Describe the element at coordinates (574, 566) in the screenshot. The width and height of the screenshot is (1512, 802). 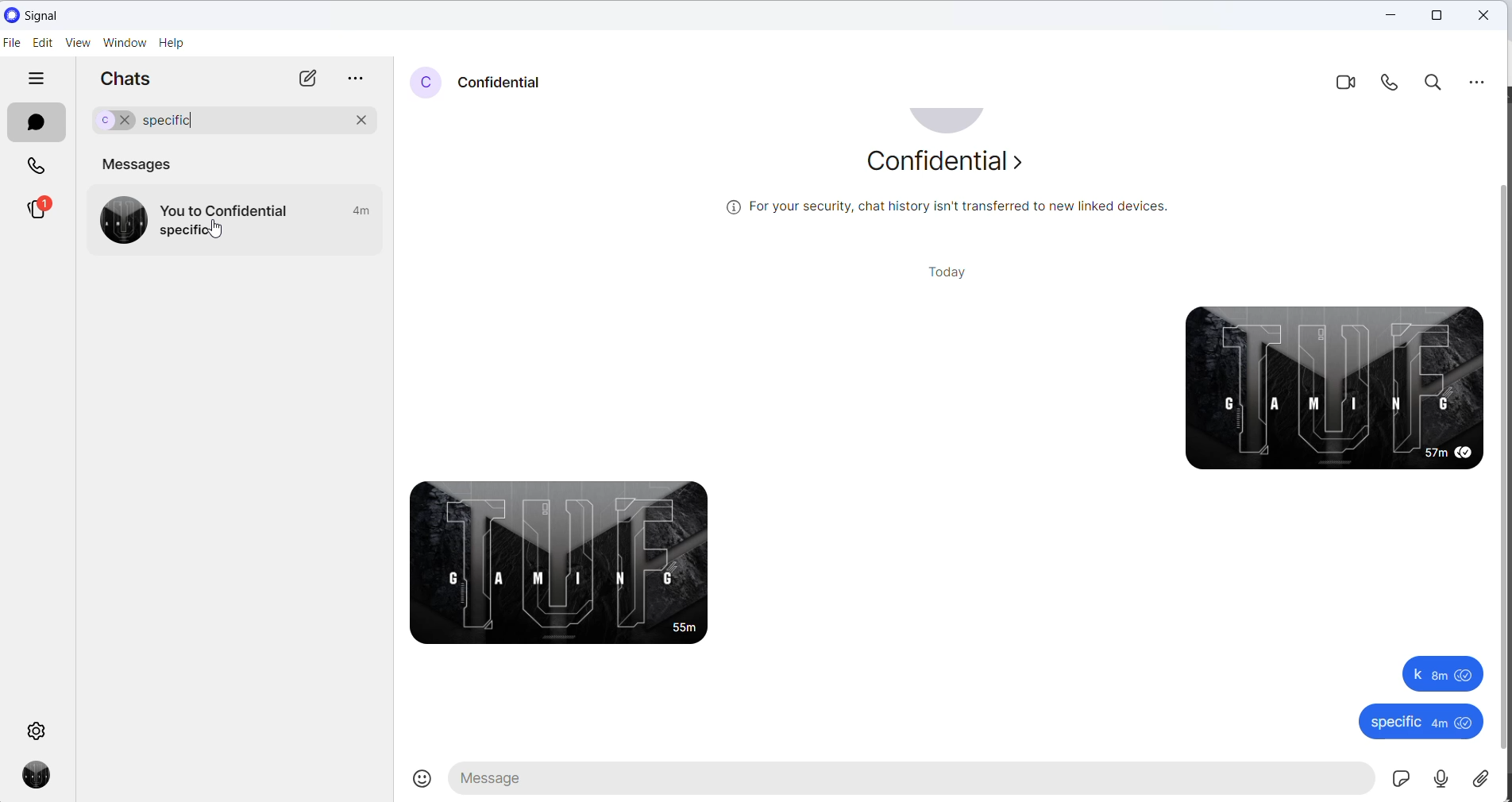
I see `received message ` at that location.